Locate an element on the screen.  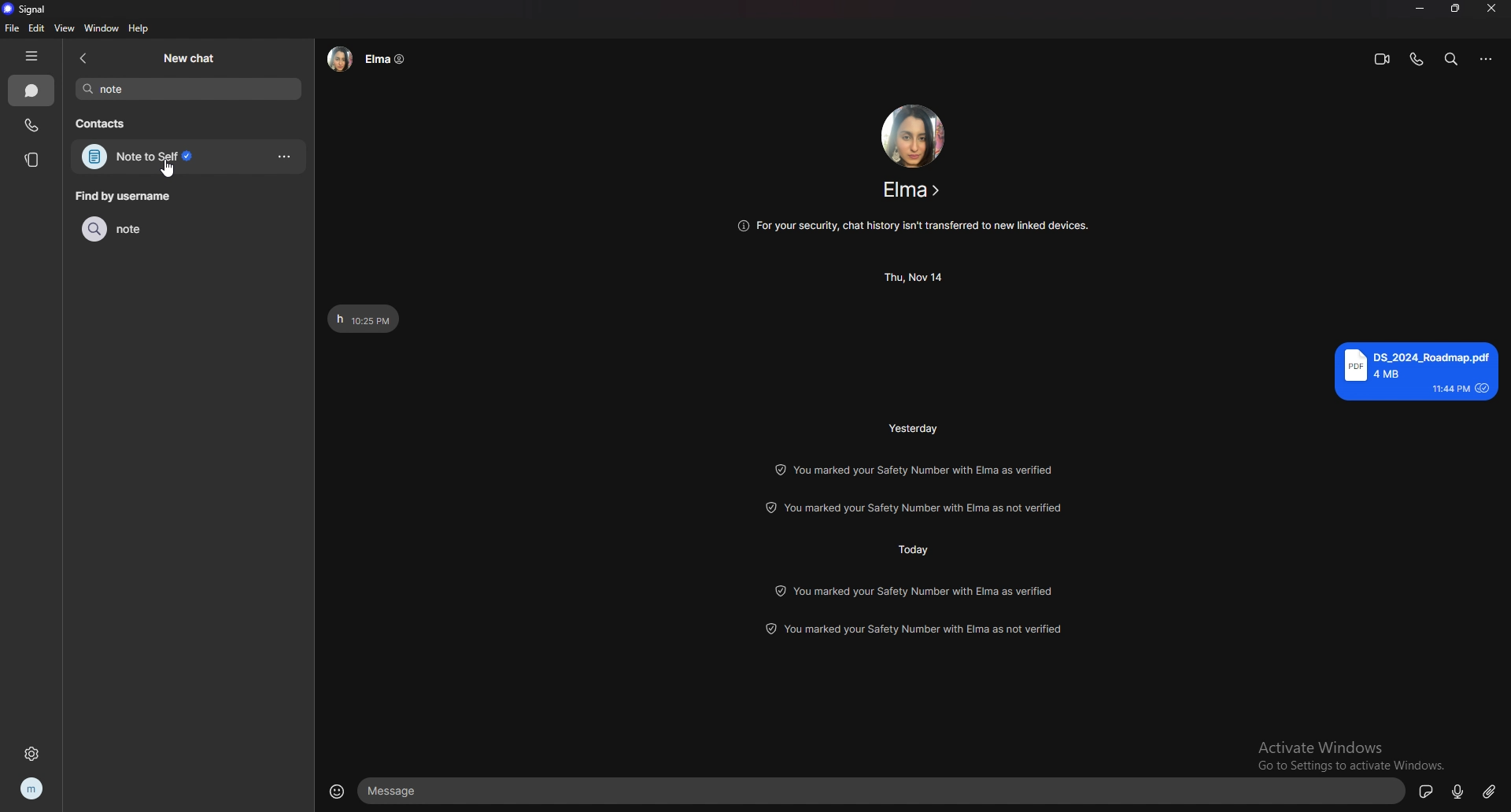
update is located at coordinates (917, 590).